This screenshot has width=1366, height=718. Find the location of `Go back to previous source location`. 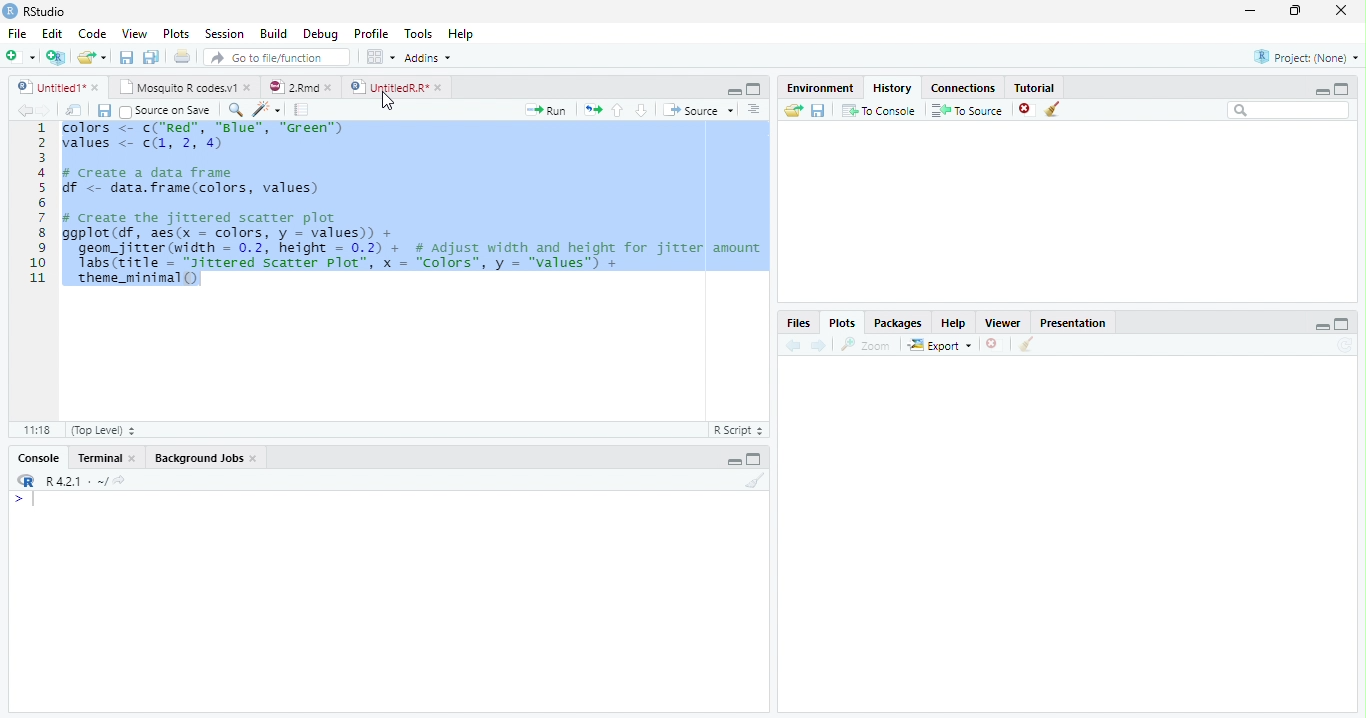

Go back to previous source location is located at coordinates (23, 111).